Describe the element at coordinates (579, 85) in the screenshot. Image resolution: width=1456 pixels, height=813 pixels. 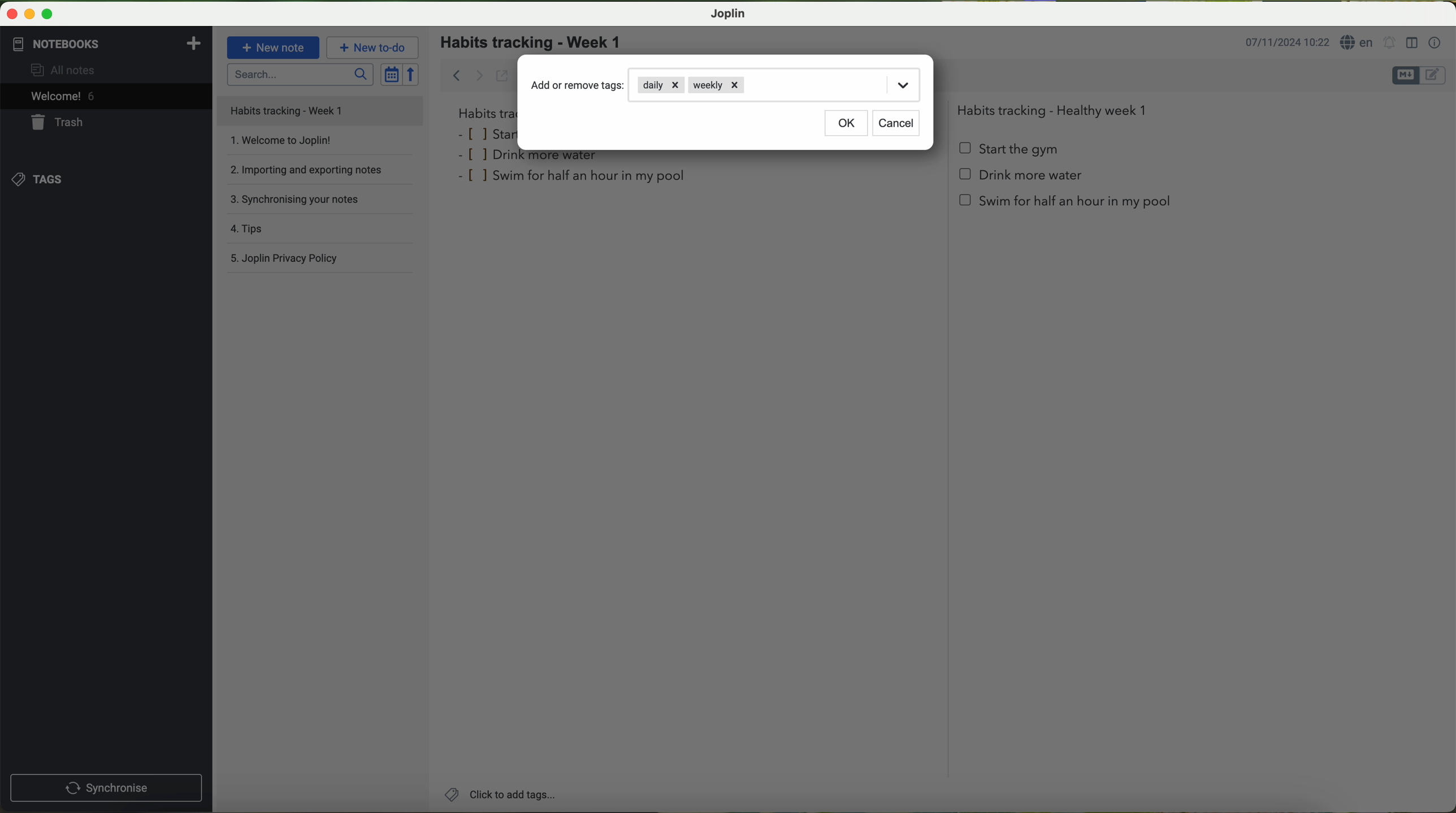
I see `add or remove tags` at that location.